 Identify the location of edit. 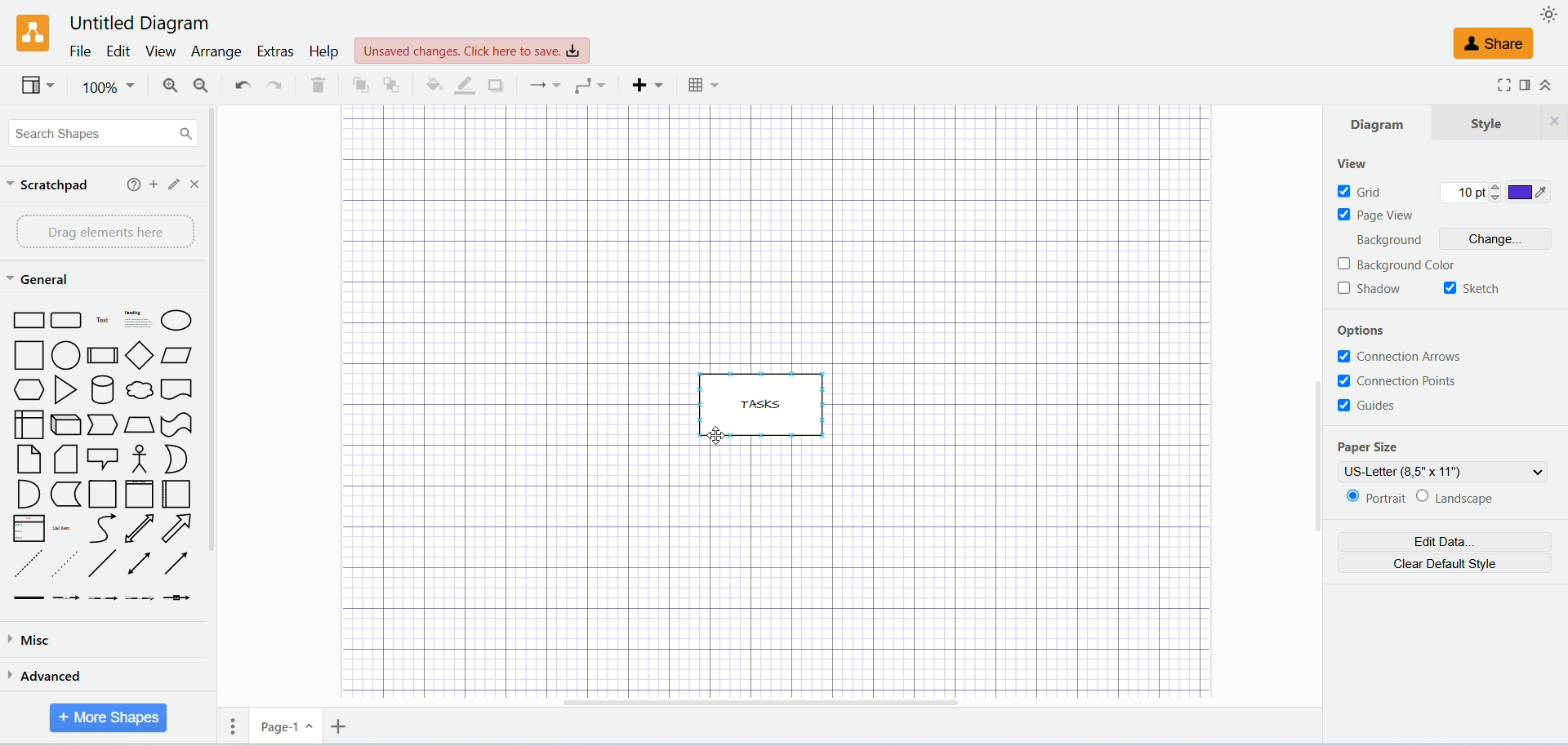
(115, 50).